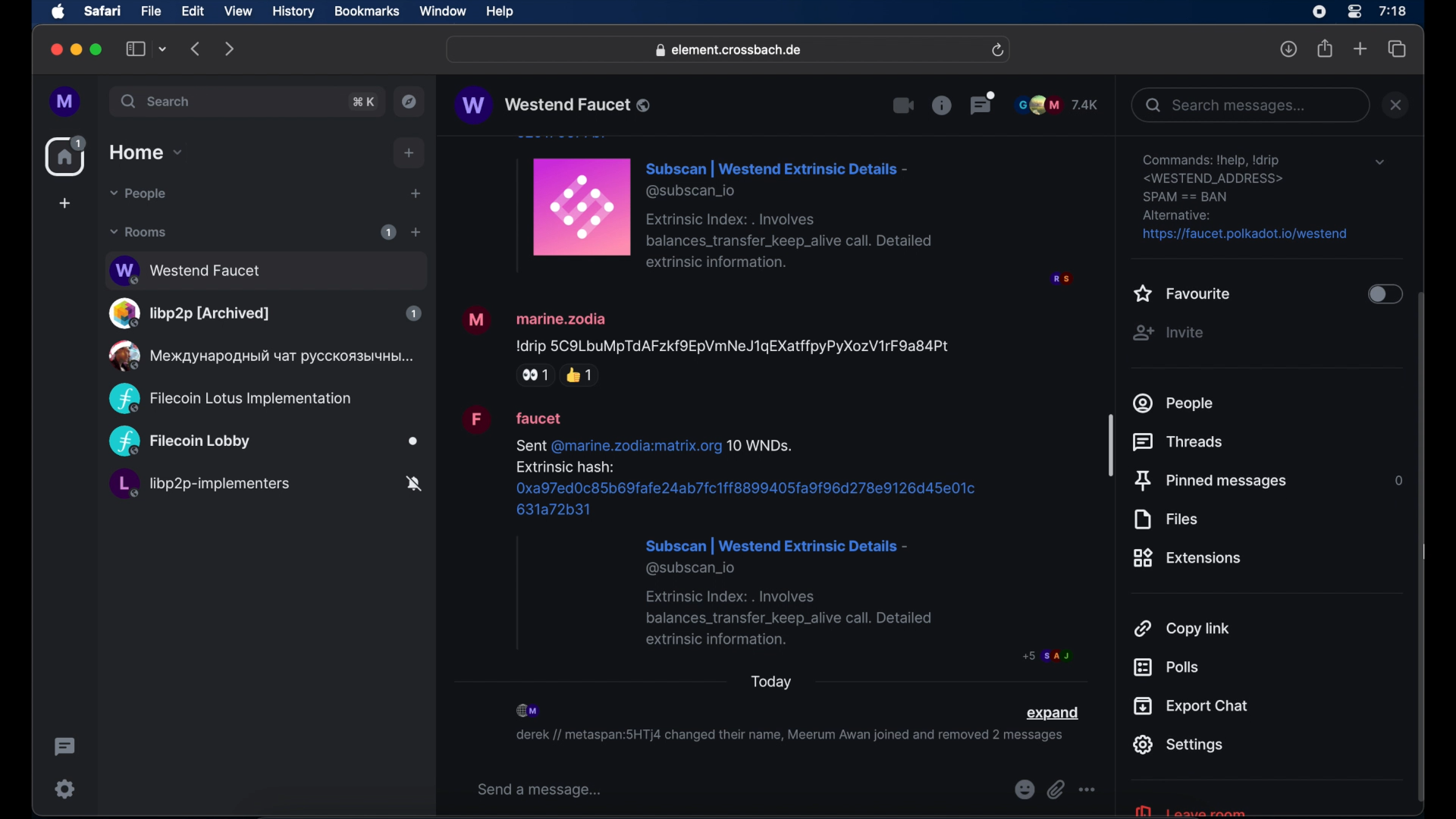 Image resolution: width=1456 pixels, height=819 pixels. I want to click on close, so click(55, 50).